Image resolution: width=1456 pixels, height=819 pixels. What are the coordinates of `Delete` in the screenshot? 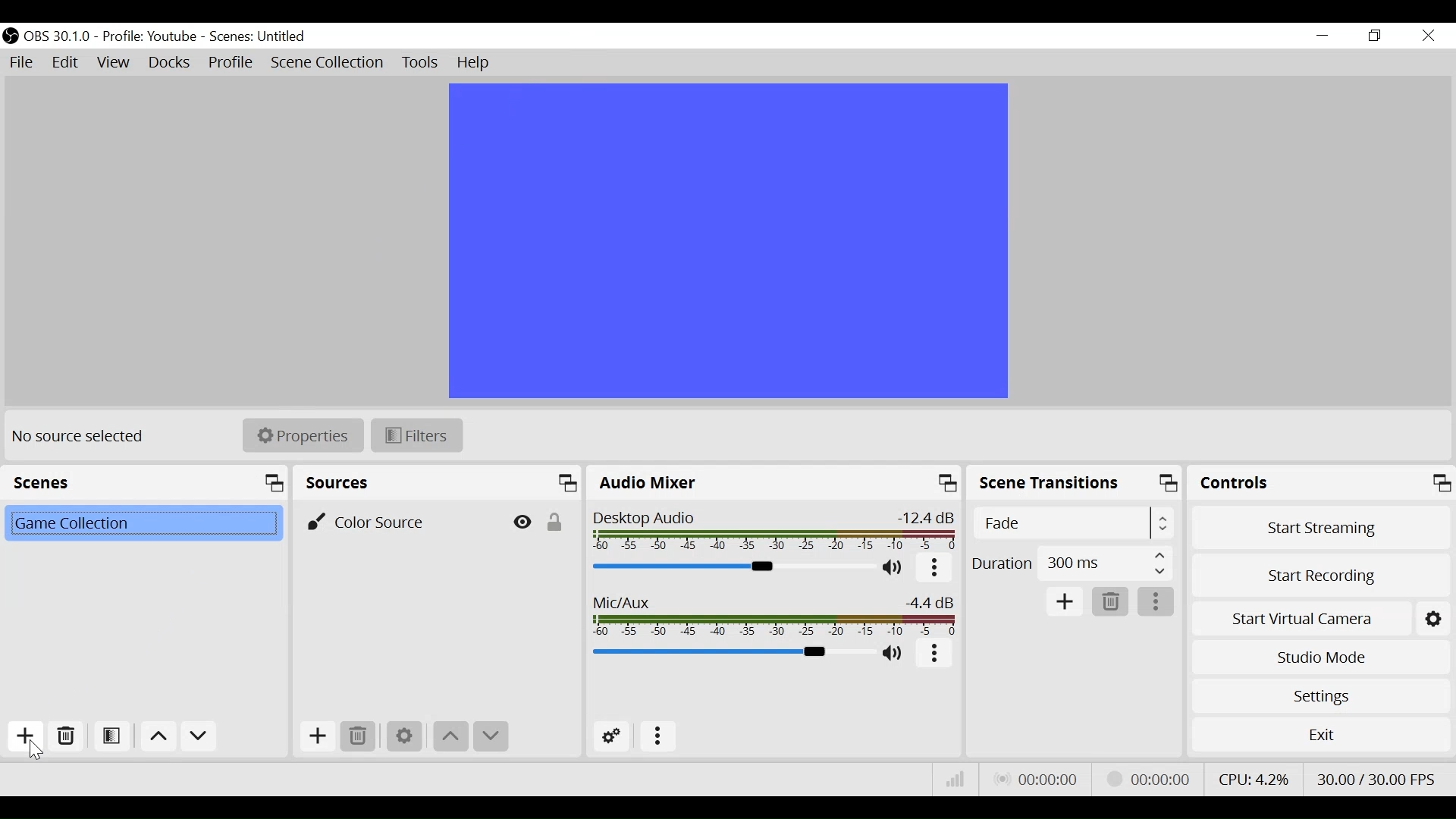 It's located at (1111, 602).